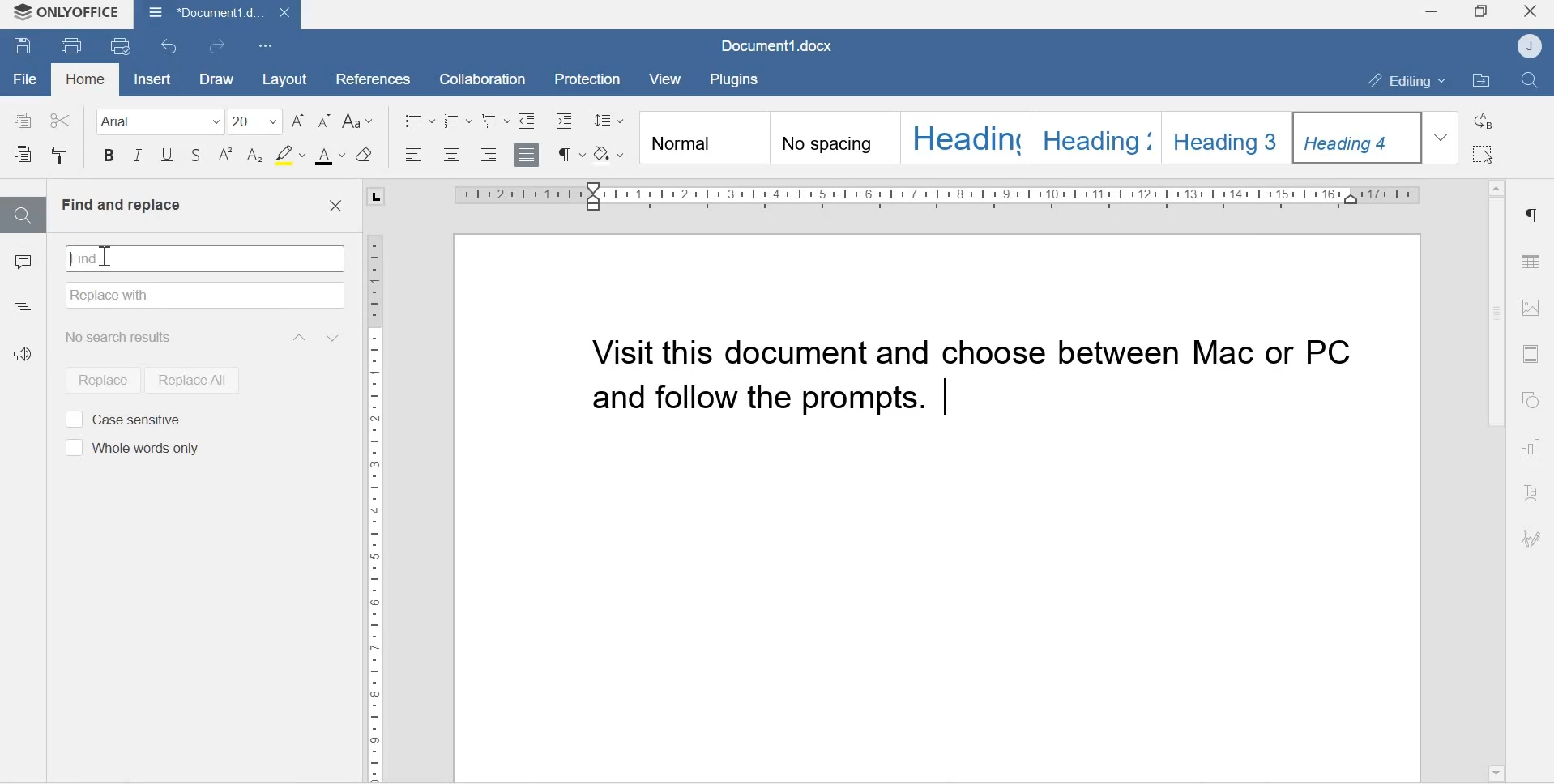 This screenshot has height=784, width=1554. Describe the element at coordinates (283, 79) in the screenshot. I see `Layout` at that location.